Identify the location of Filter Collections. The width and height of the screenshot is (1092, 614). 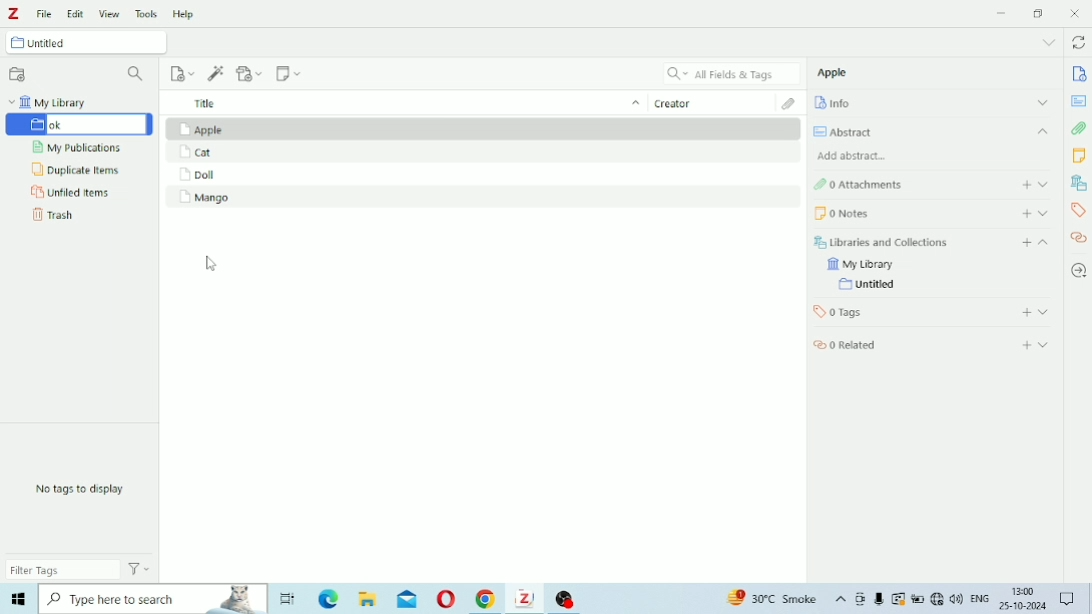
(137, 73).